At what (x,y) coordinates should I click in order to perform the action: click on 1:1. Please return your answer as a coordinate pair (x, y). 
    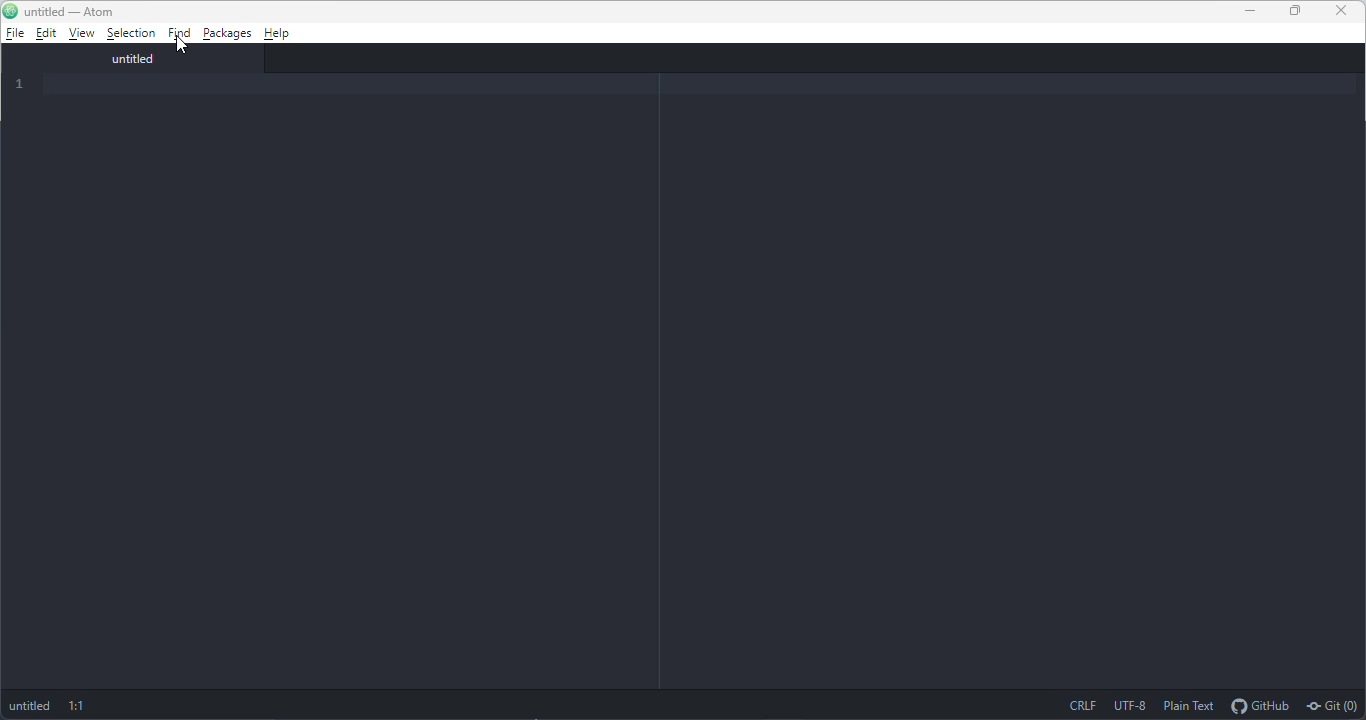
    Looking at the image, I should click on (79, 704).